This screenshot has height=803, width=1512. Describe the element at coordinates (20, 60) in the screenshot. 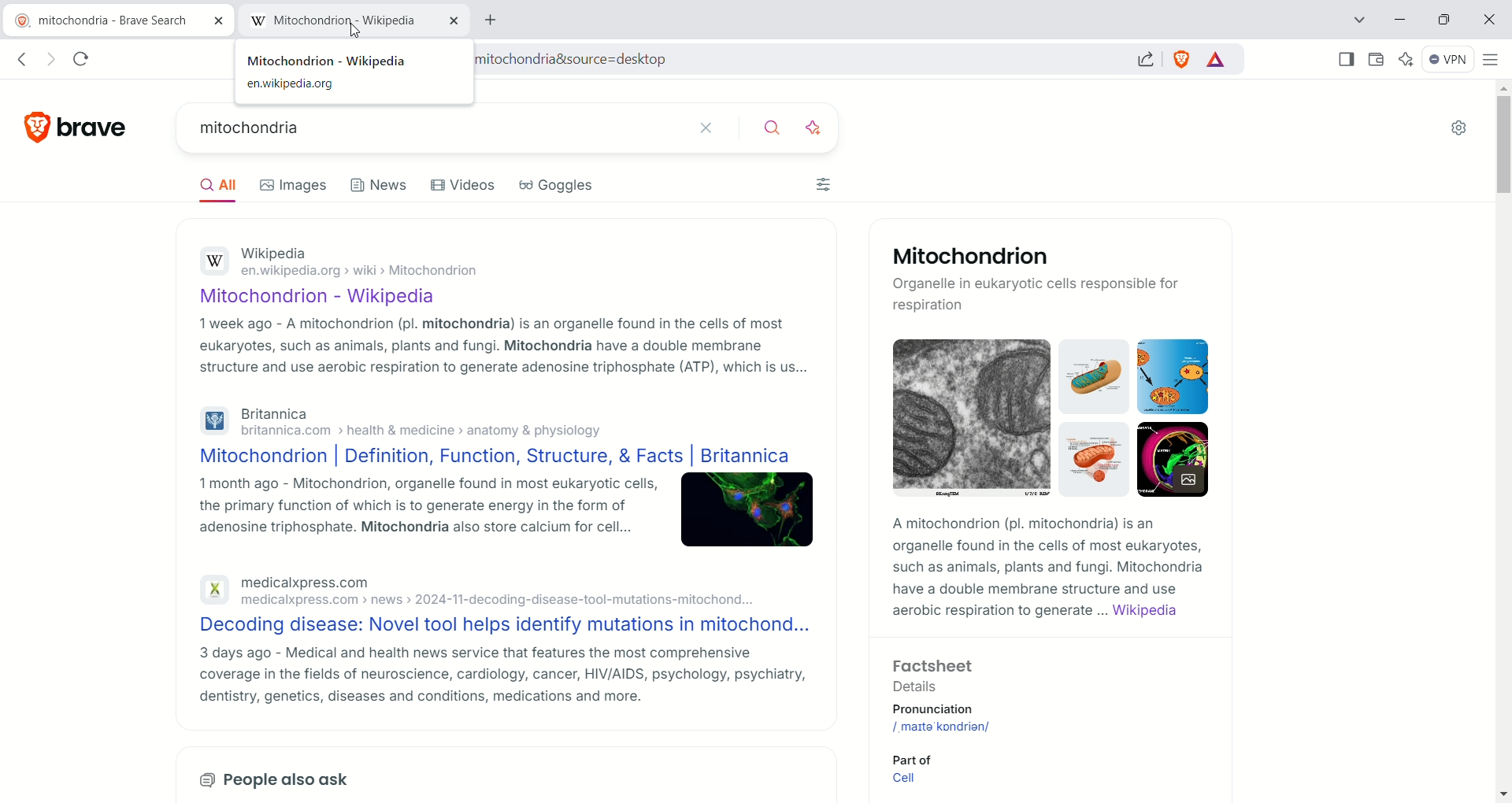

I see `go back` at that location.